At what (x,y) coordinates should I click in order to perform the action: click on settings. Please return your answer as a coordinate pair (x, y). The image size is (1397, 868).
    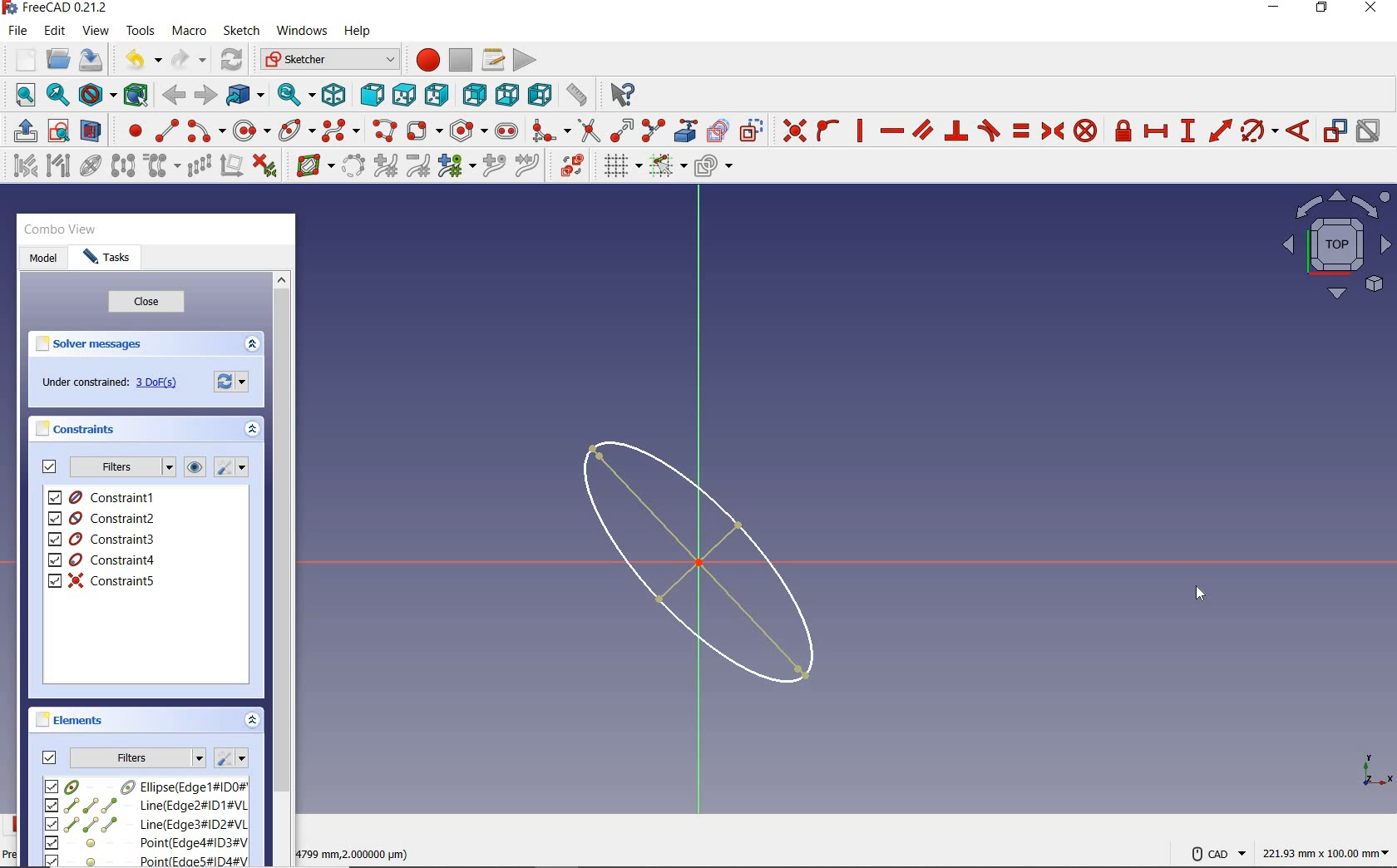
    Looking at the image, I should click on (230, 758).